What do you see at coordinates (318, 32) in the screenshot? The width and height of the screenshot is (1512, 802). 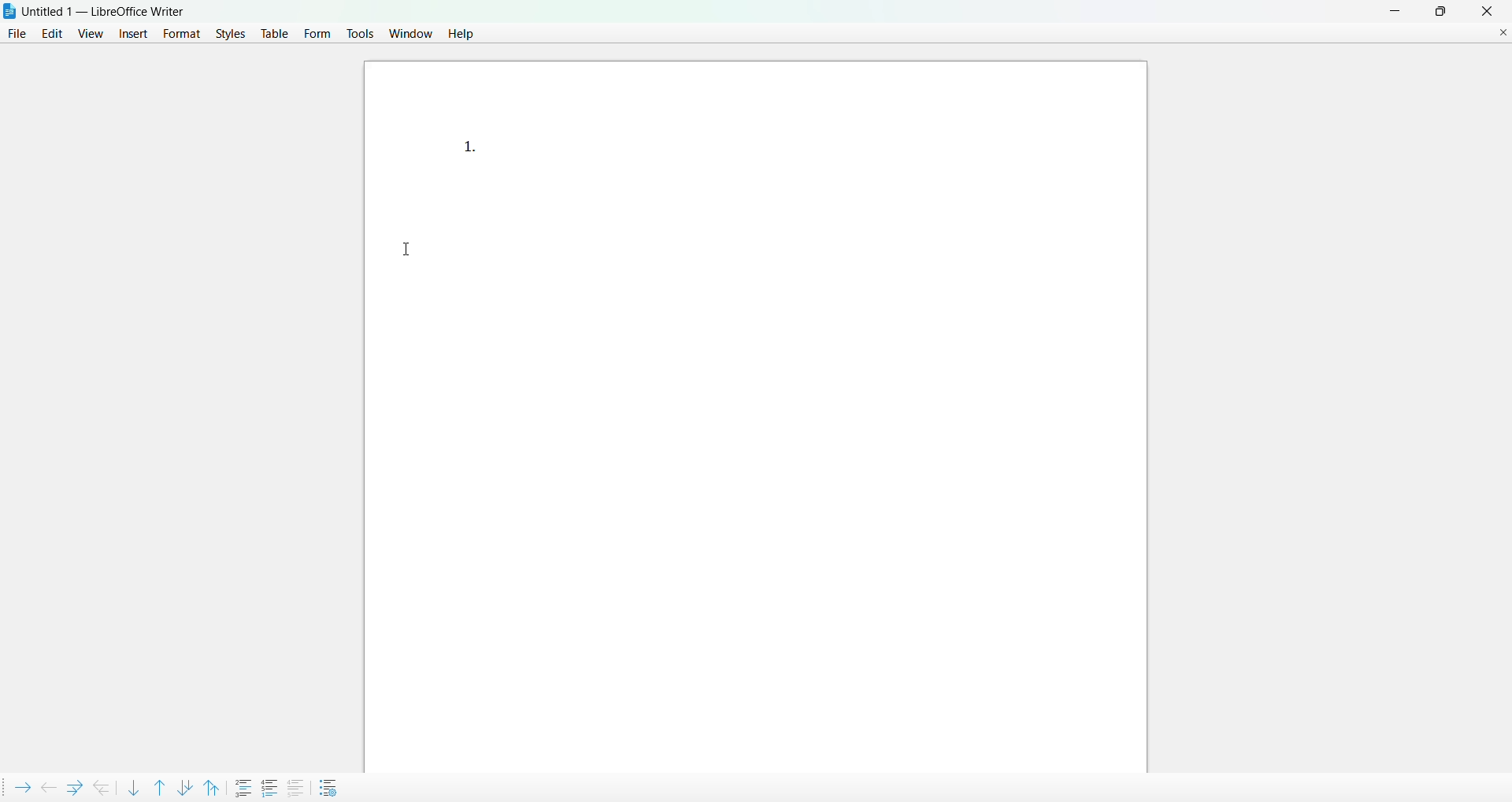 I see `form` at bounding box center [318, 32].